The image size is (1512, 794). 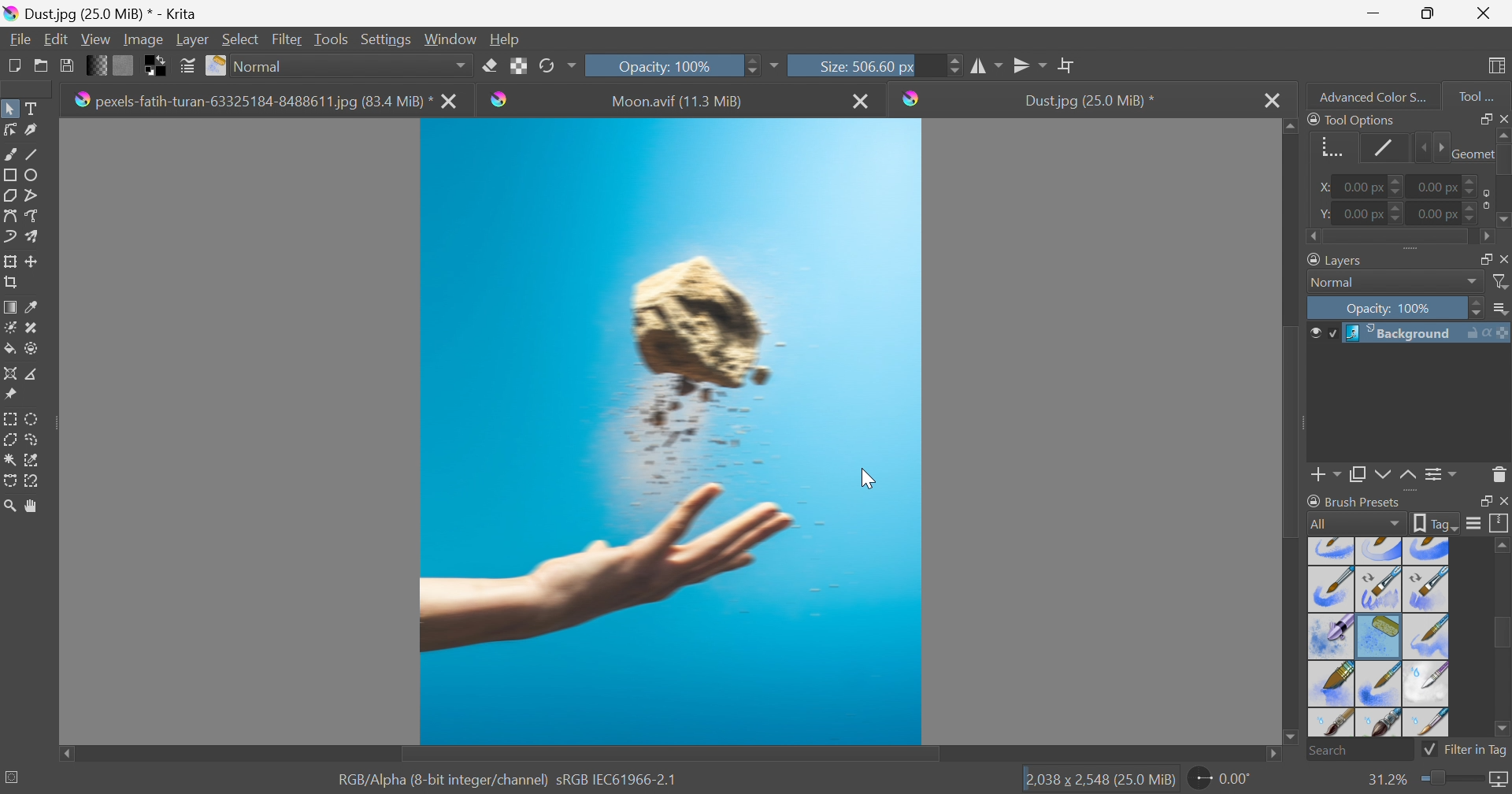 I want to click on Slider, so click(x=1449, y=779).